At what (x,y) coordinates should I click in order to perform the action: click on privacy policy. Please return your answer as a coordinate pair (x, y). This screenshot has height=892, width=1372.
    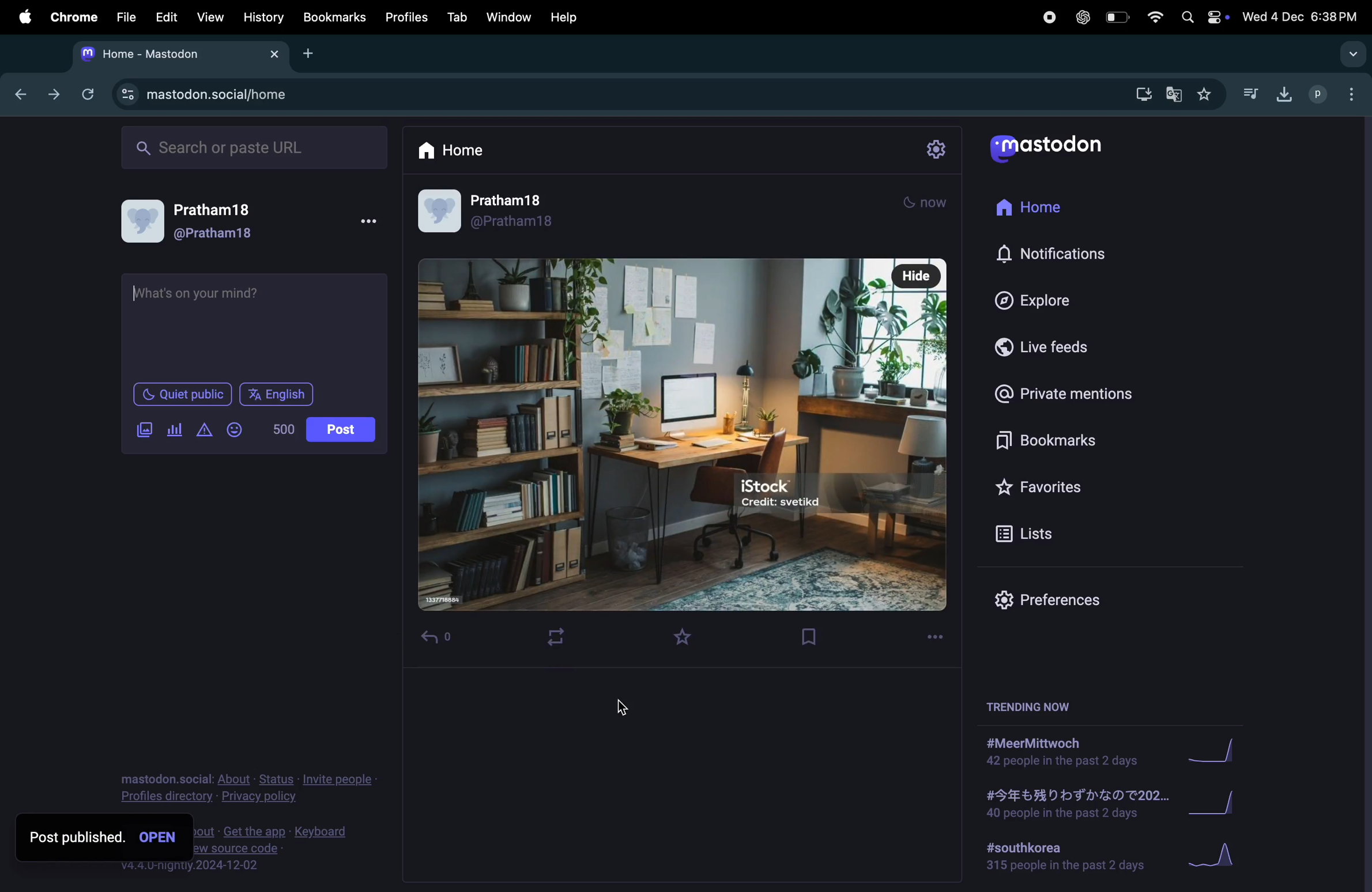
    Looking at the image, I should click on (246, 784).